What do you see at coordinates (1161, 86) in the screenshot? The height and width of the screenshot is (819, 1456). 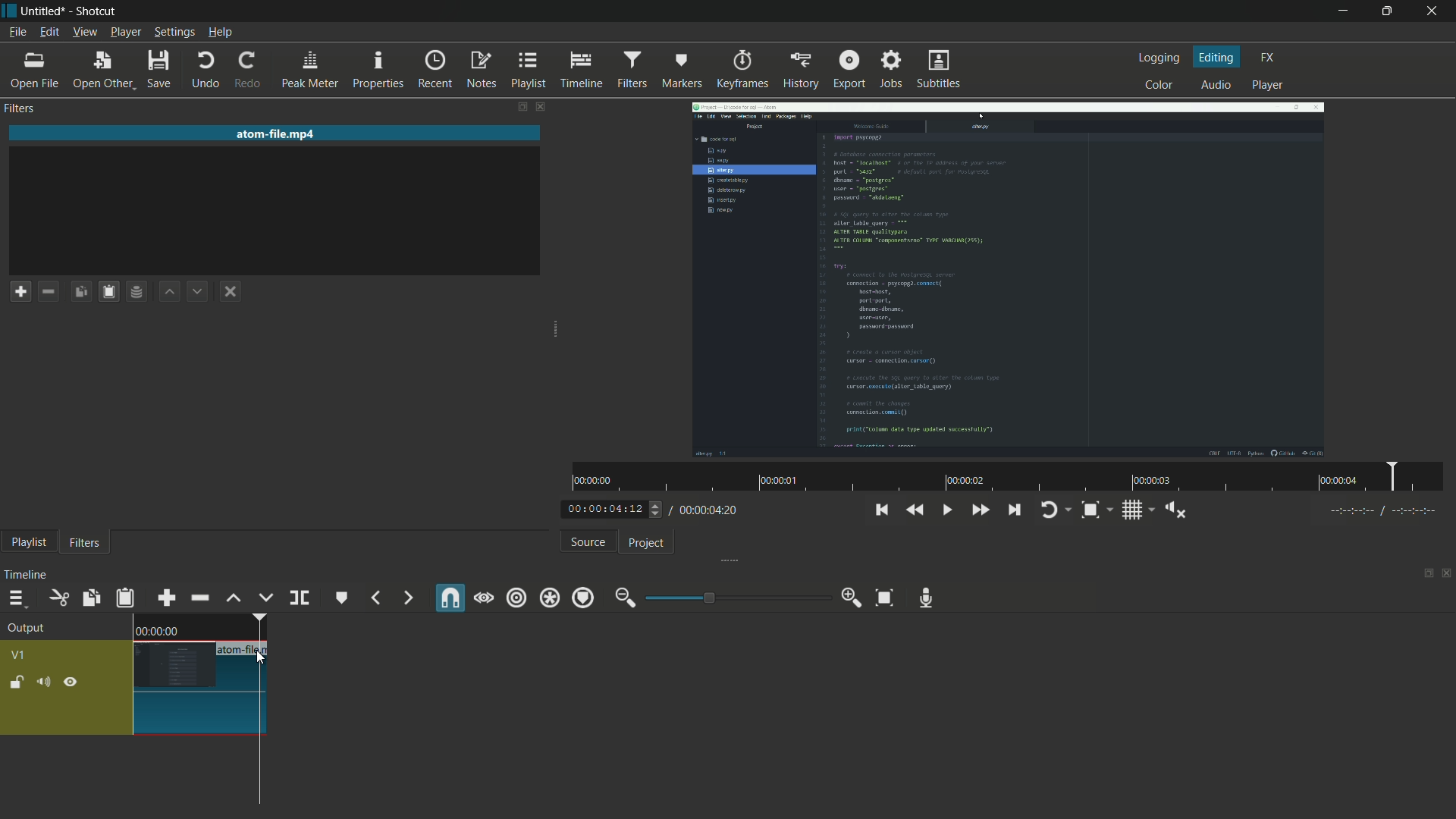 I see `color` at bounding box center [1161, 86].